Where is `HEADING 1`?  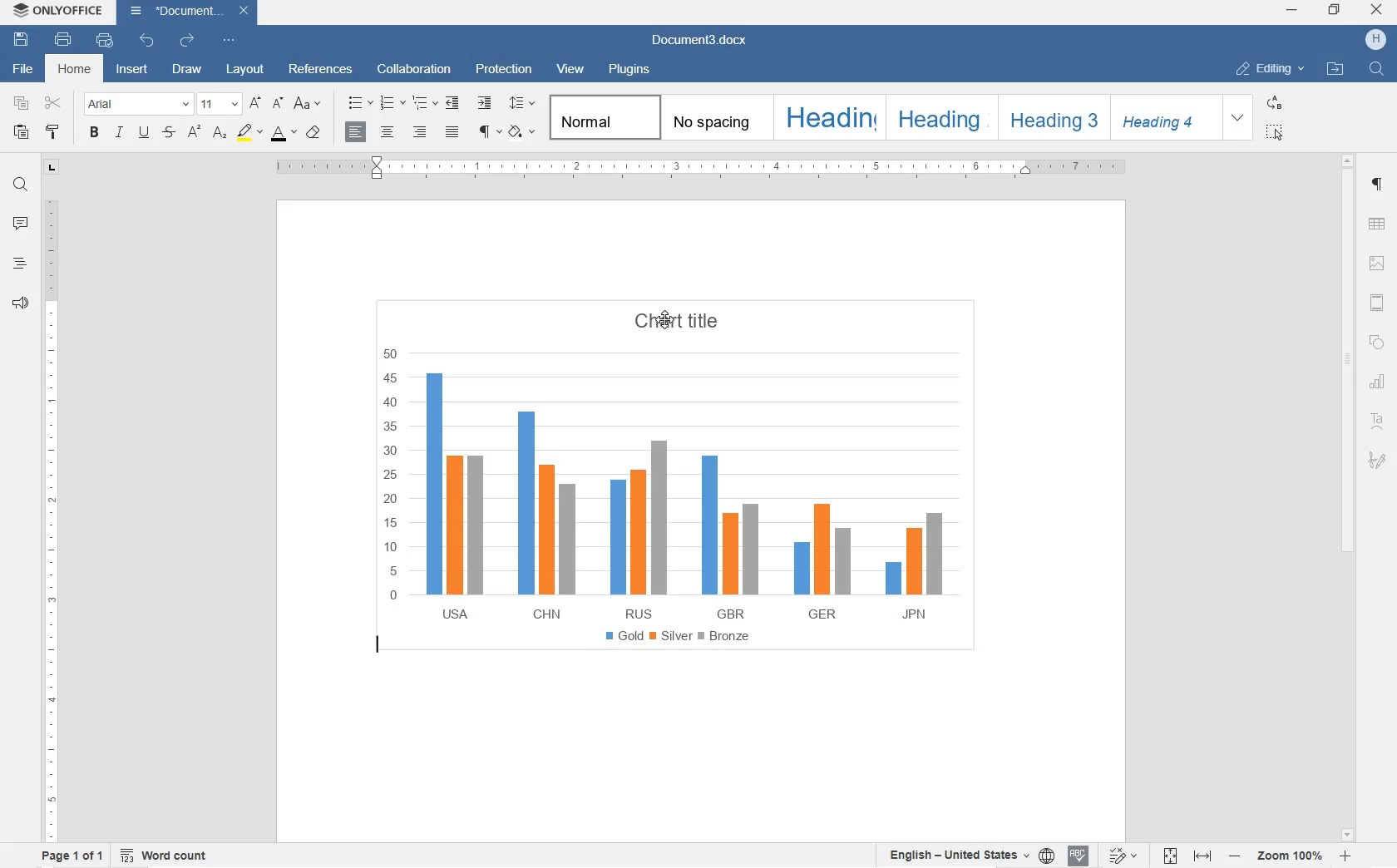
HEADING 1 is located at coordinates (827, 118).